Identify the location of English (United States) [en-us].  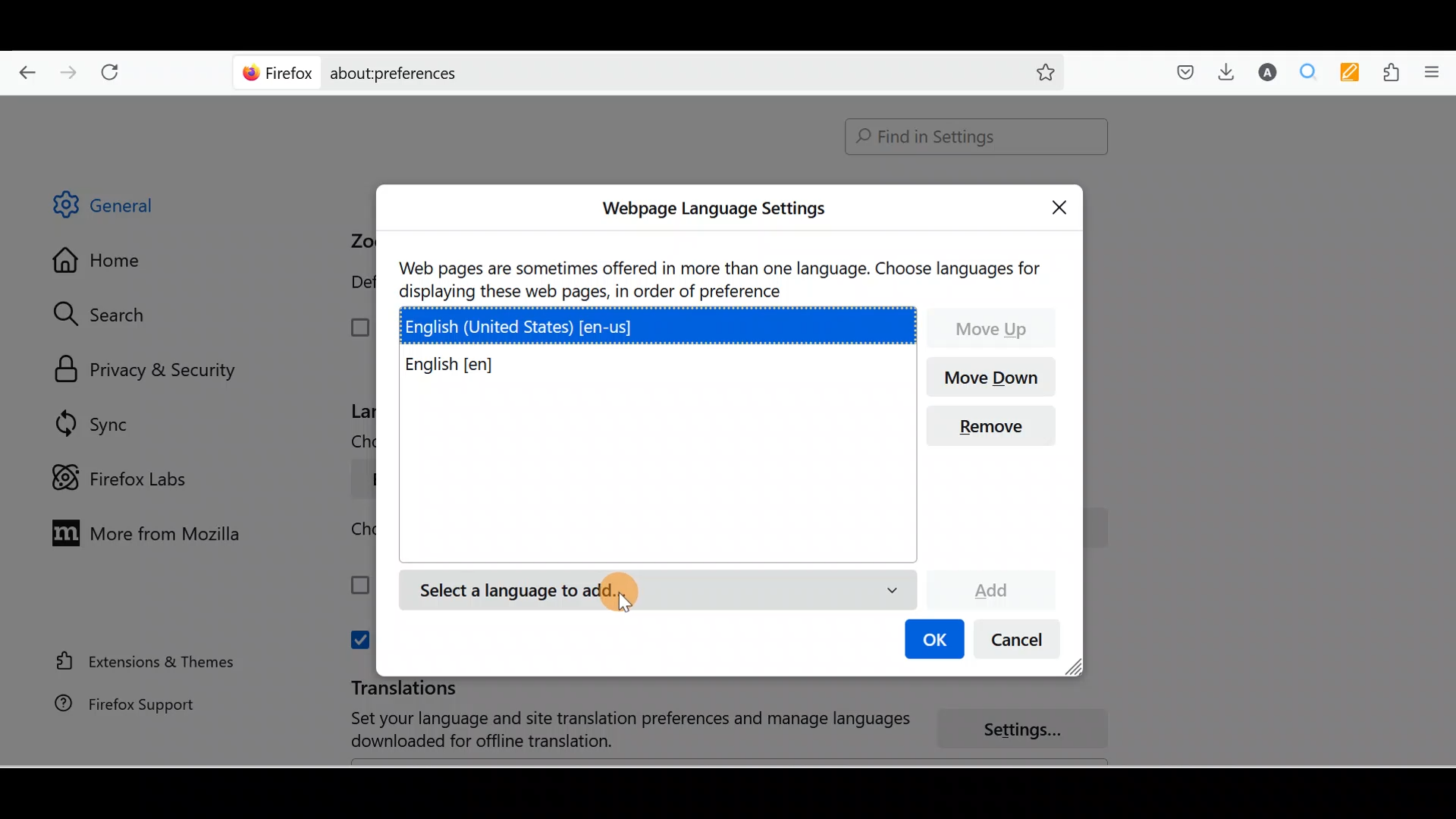
(661, 324).